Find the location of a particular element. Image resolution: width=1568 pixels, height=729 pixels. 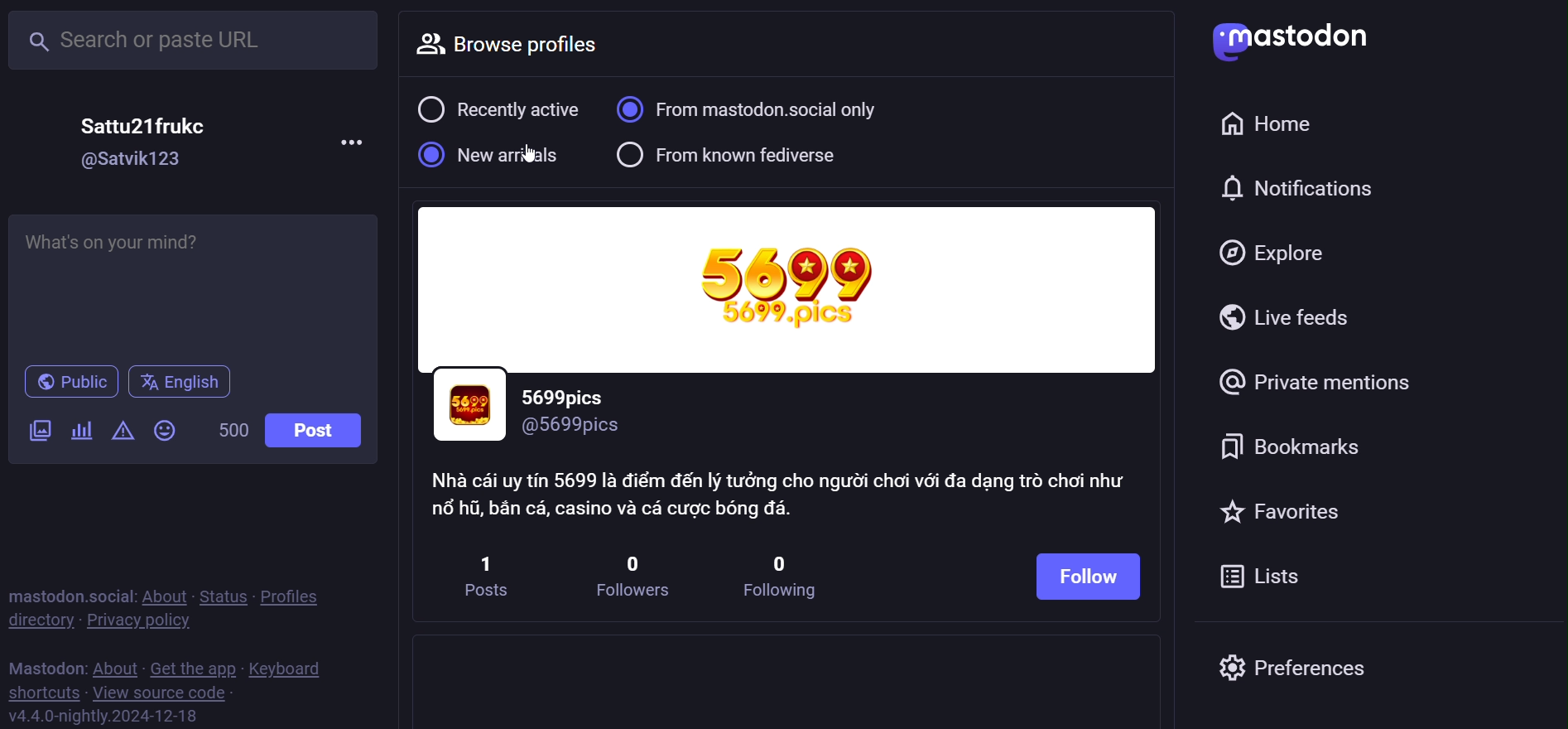

from mastodon social only selected is located at coordinates (762, 105).